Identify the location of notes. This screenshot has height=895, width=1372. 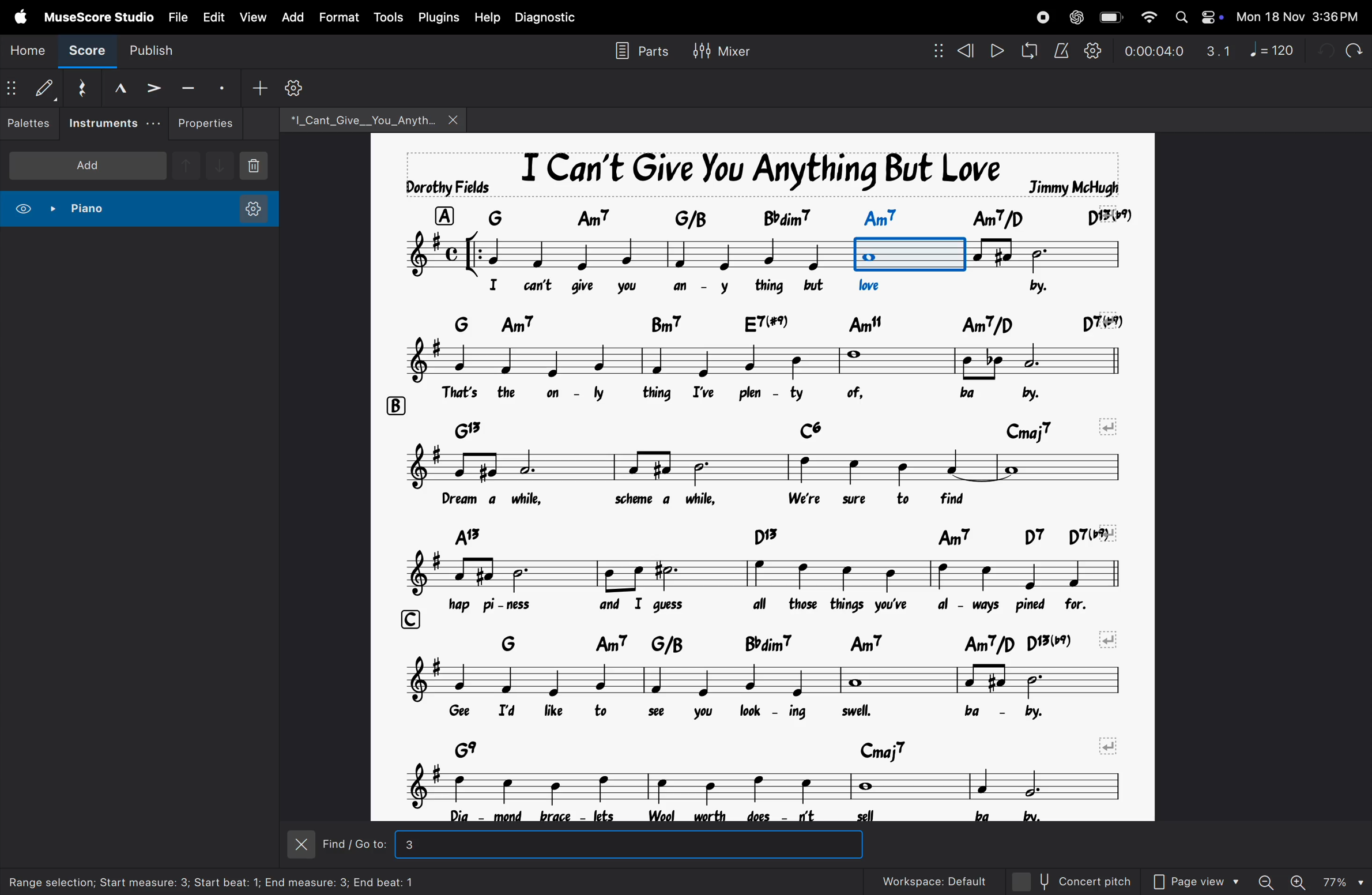
(774, 681).